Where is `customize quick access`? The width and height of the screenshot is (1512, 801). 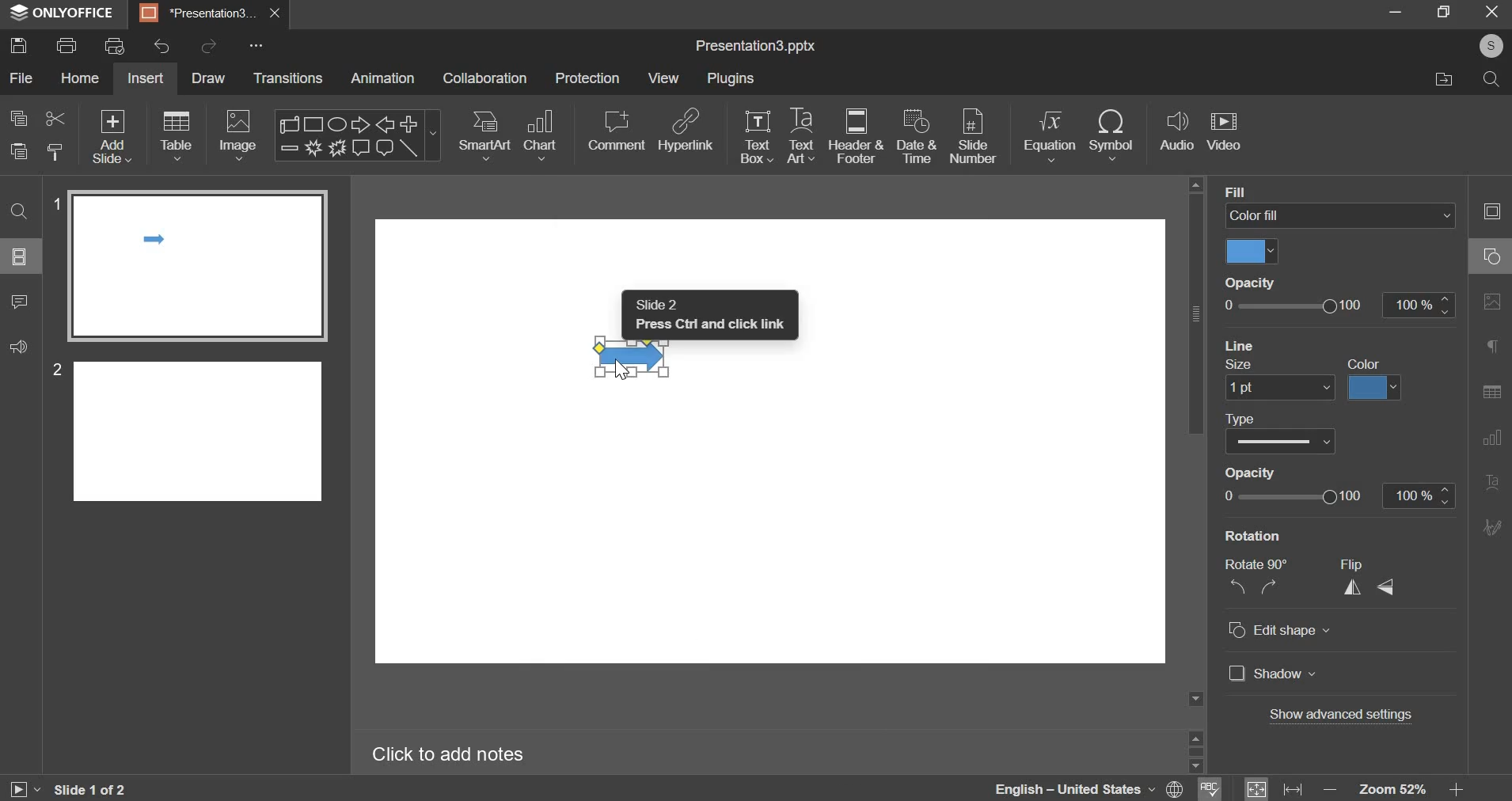
customize quick access is located at coordinates (256, 45).